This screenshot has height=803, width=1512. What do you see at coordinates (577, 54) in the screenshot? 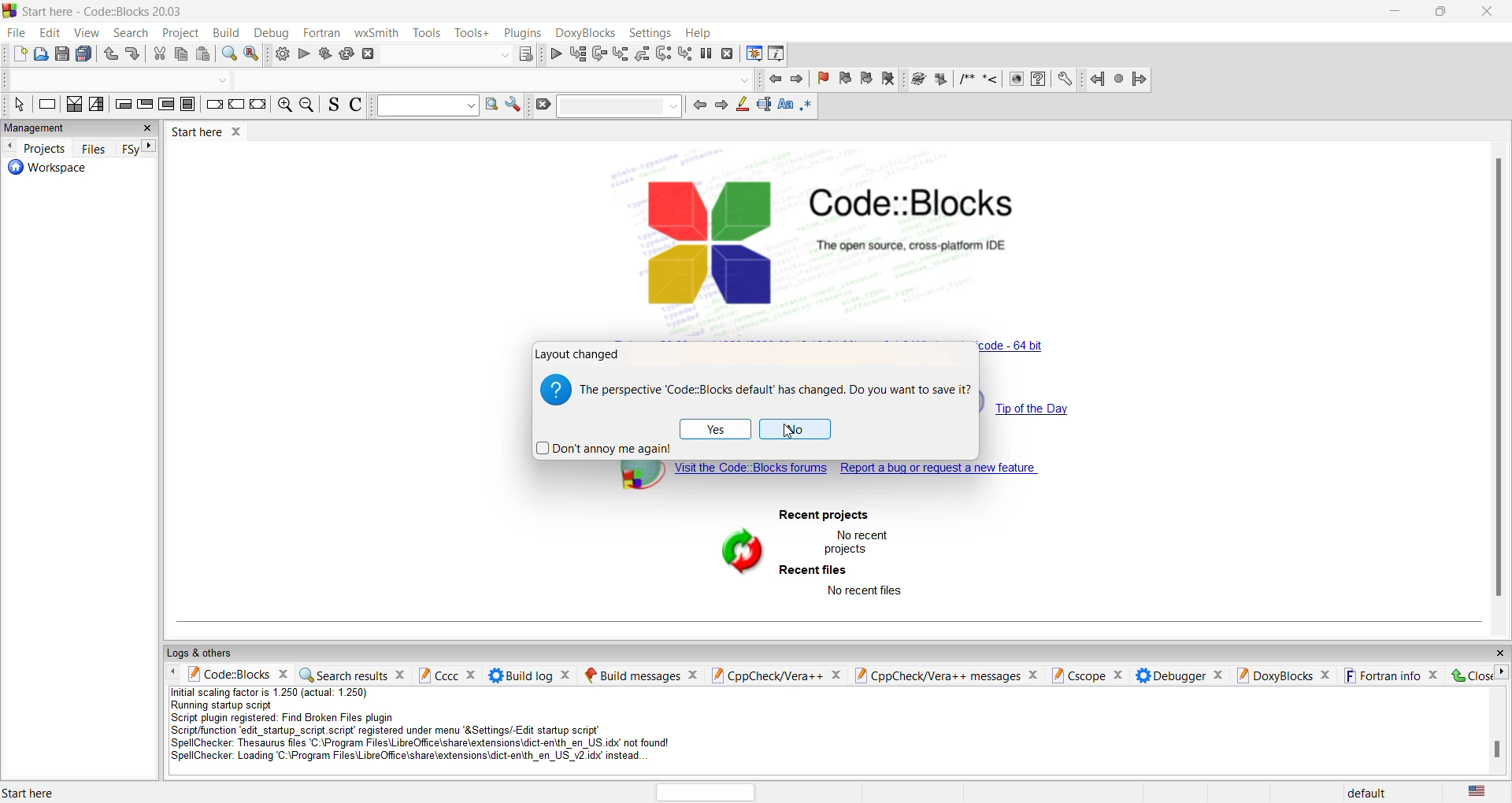
I see `run to cursor` at bounding box center [577, 54].